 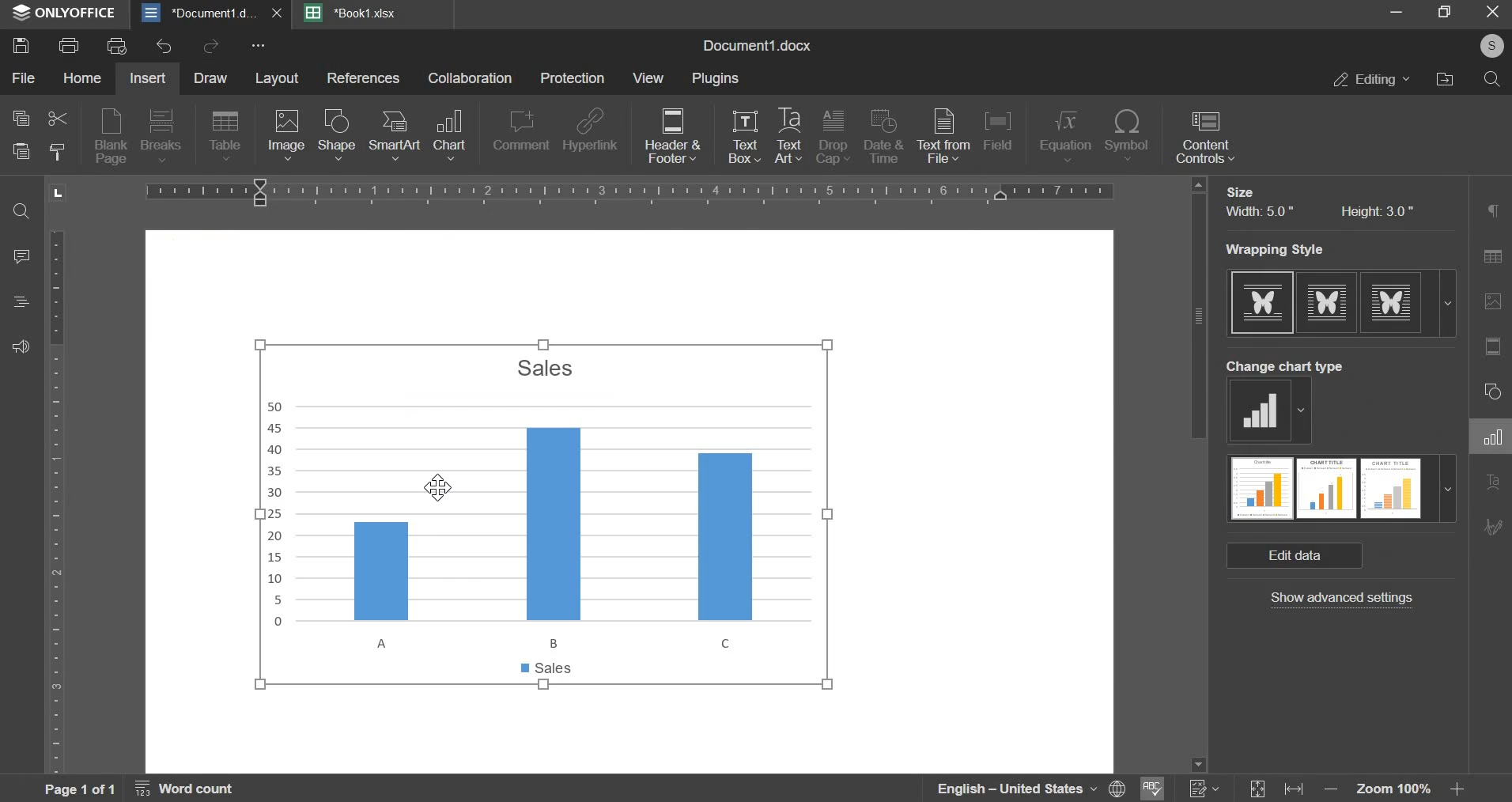 What do you see at coordinates (1127, 138) in the screenshot?
I see `symbol` at bounding box center [1127, 138].